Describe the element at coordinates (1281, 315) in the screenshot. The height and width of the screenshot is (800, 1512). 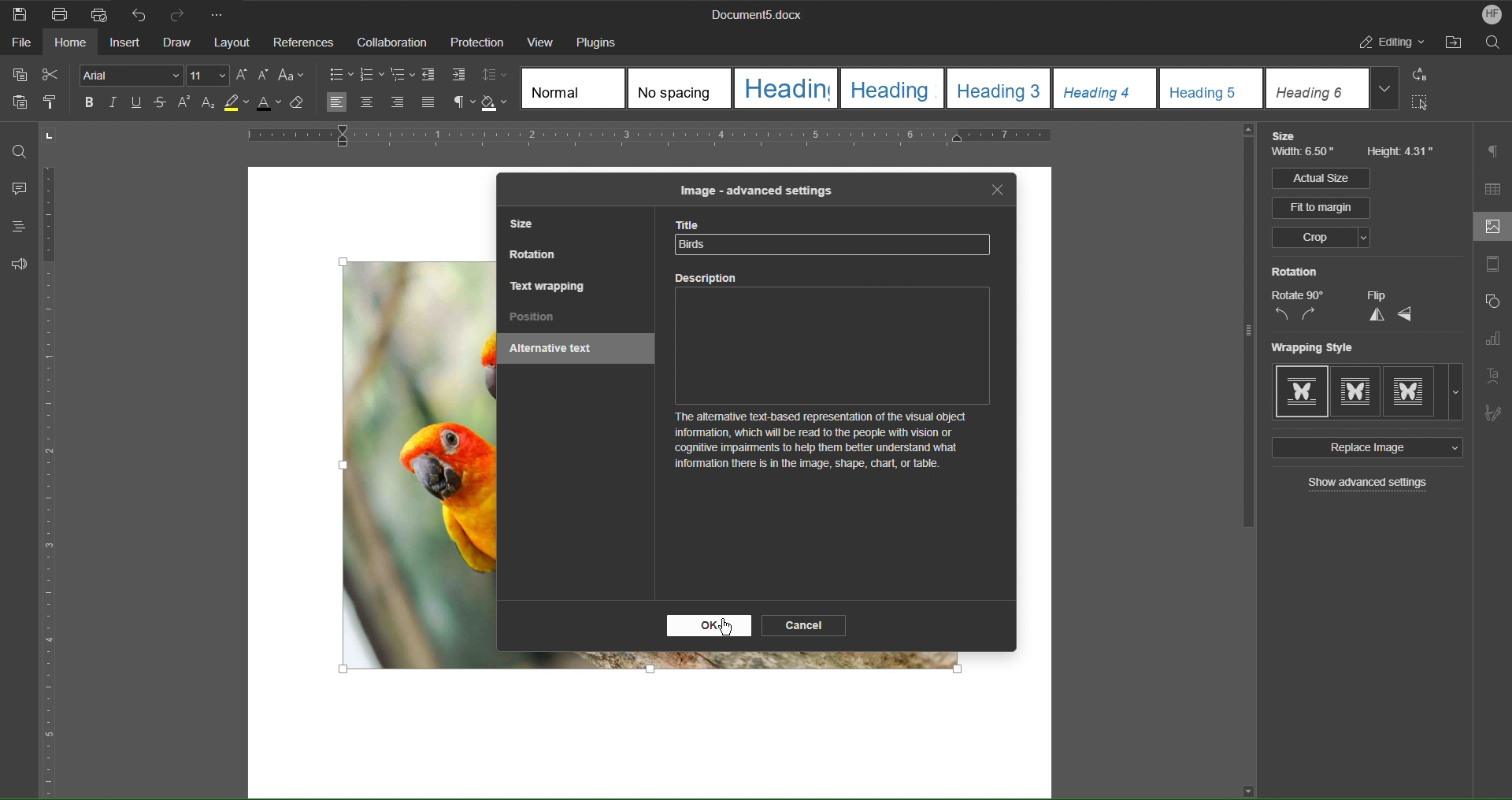
I see `Rotate CCW` at that location.